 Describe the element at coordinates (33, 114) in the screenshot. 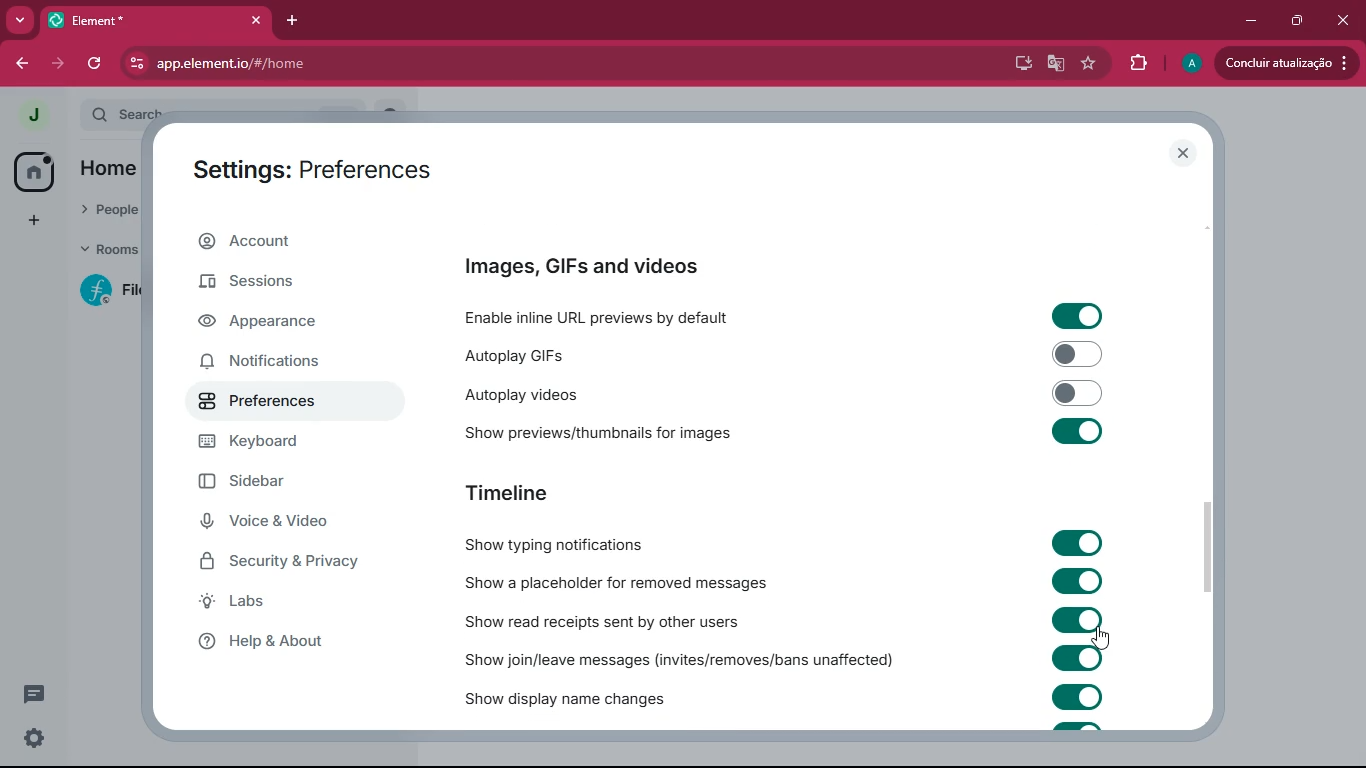

I see `profile picture` at that location.